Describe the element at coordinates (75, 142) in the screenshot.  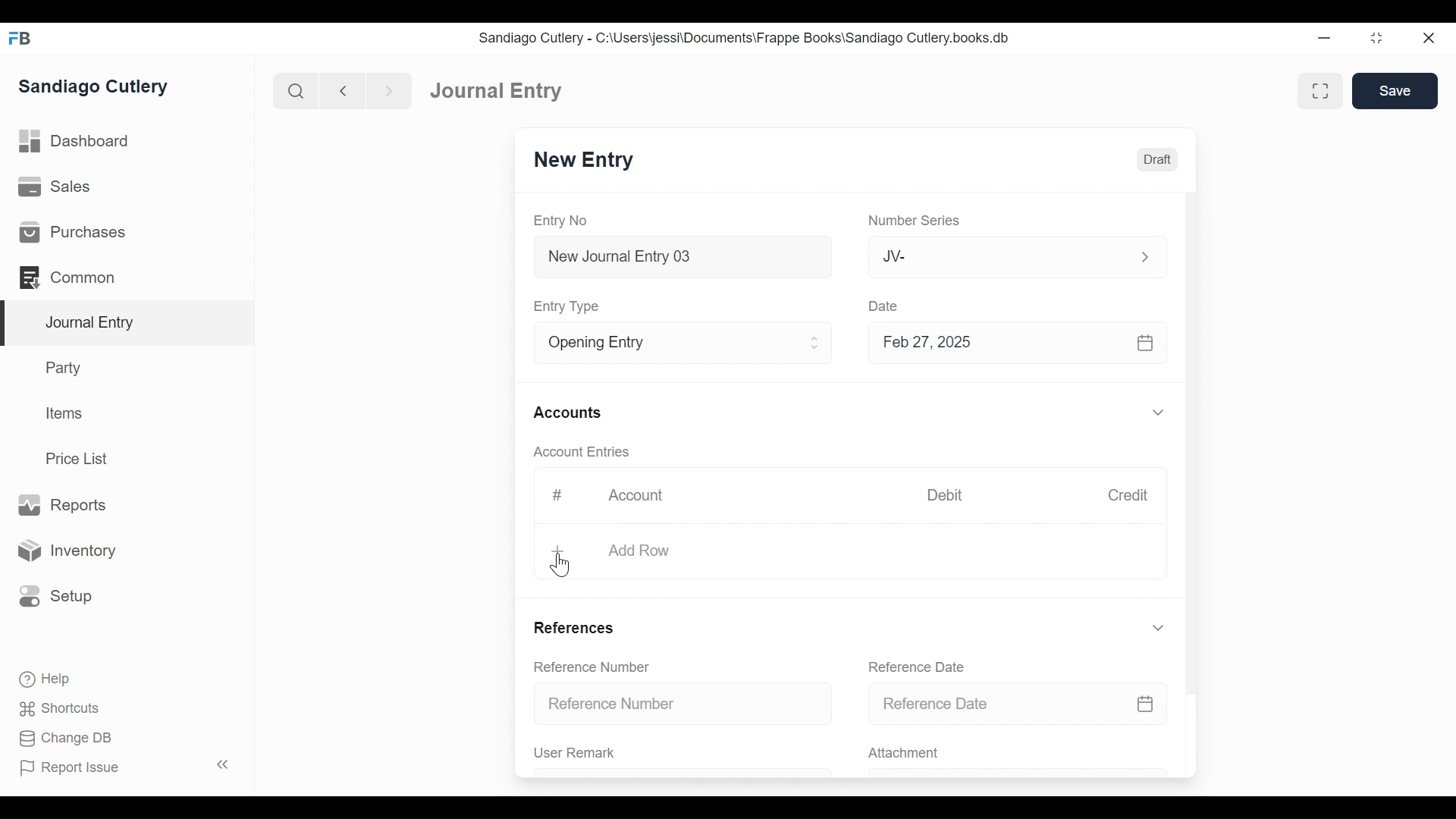
I see `Dashboard` at that location.